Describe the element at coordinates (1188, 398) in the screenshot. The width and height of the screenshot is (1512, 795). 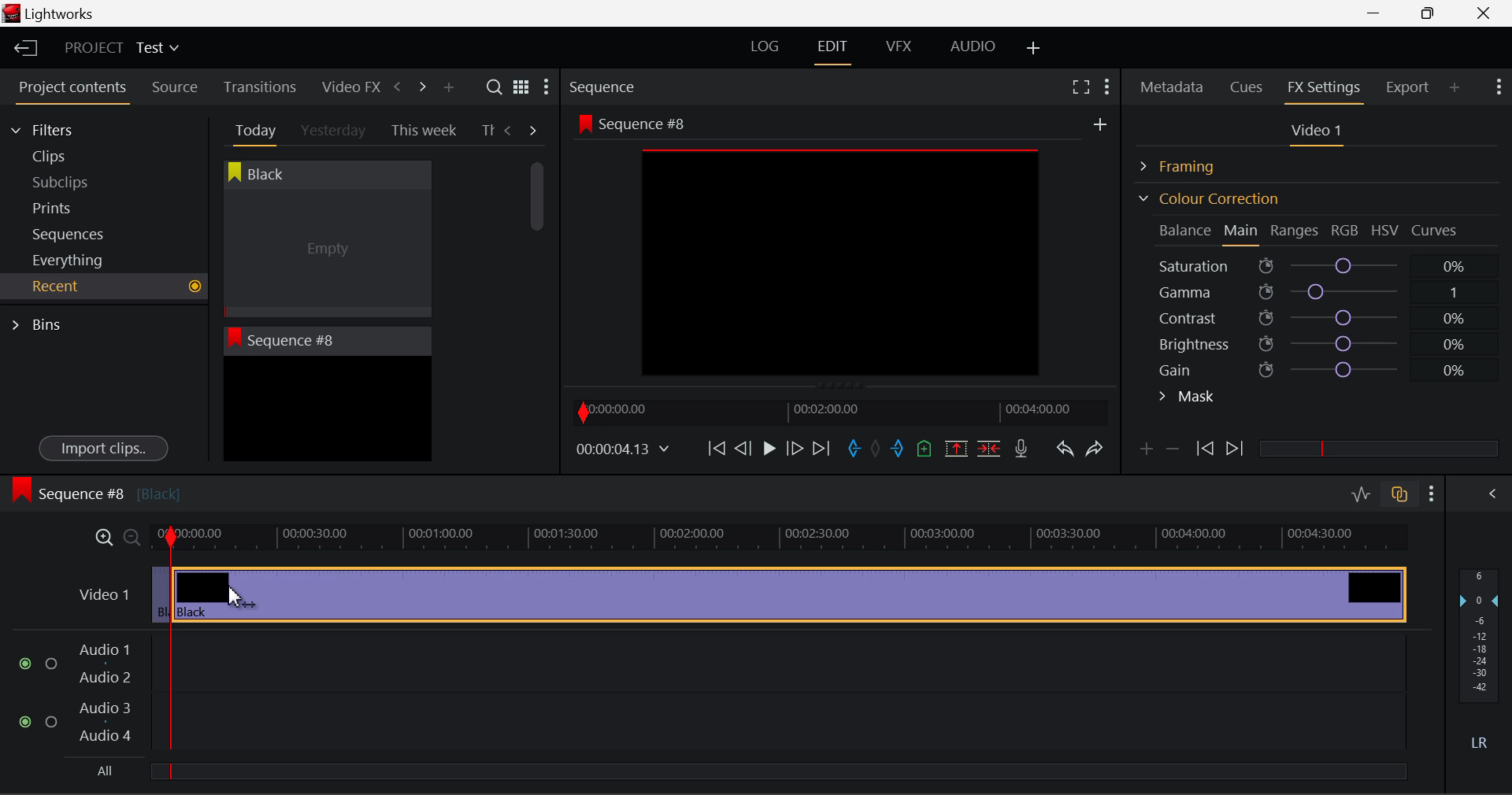
I see `Mask` at that location.